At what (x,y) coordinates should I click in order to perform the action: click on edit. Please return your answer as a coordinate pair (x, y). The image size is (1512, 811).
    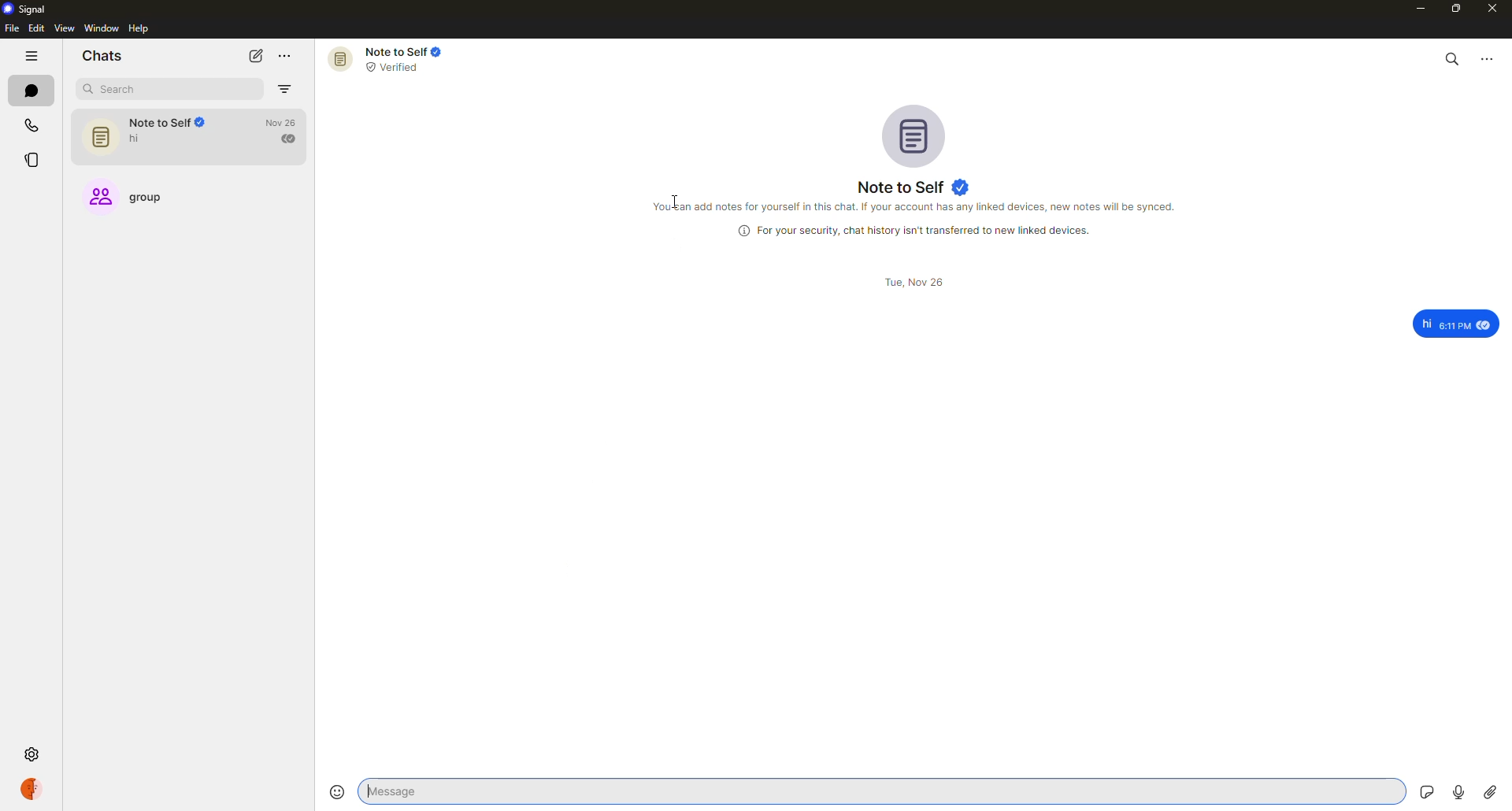
    Looking at the image, I should click on (35, 28).